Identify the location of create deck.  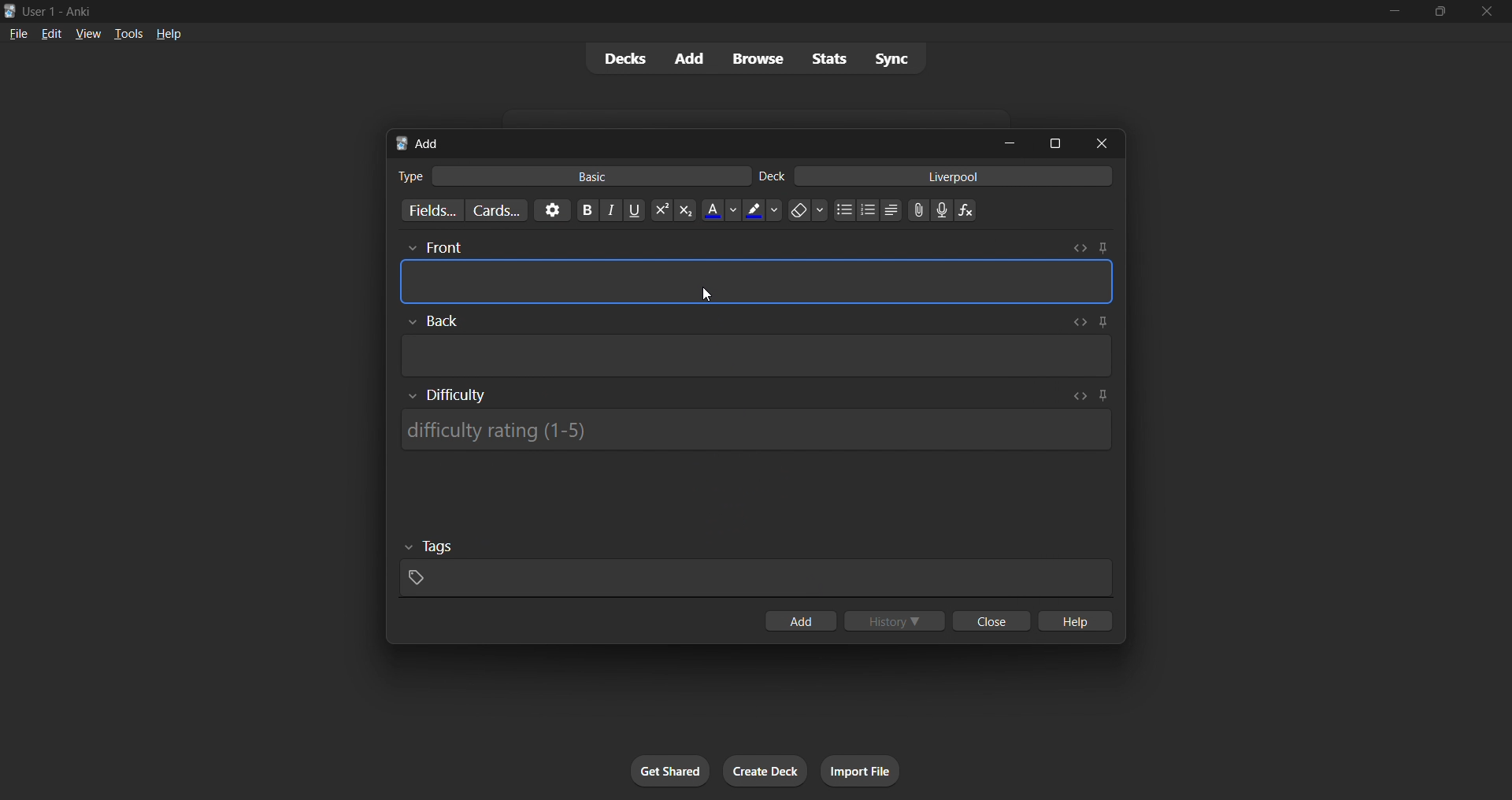
(765, 771).